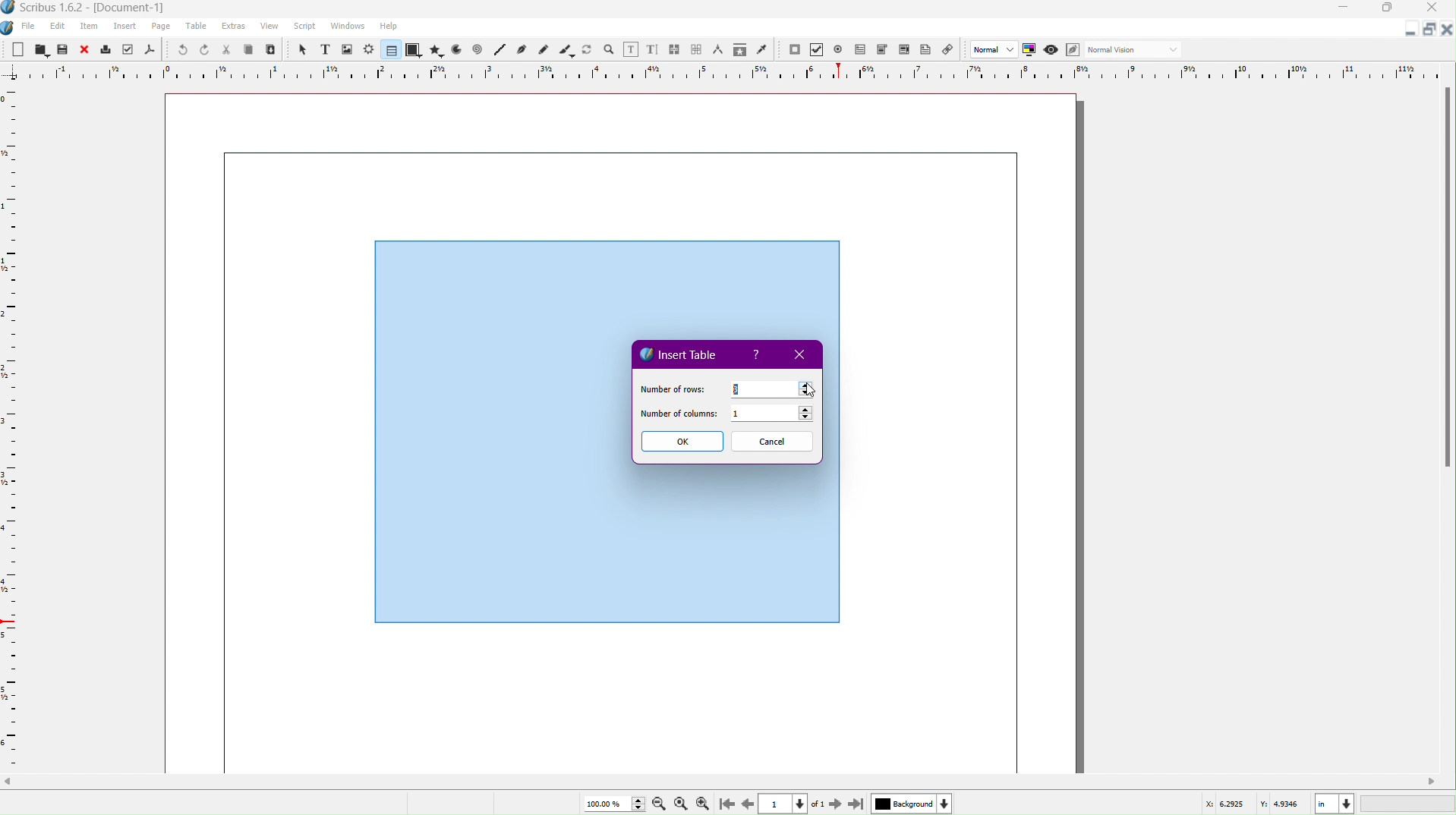 The height and width of the screenshot is (815, 1456). Describe the element at coordinates (819, 51) in the screenshot. I see `PDF Check Box` at that location.